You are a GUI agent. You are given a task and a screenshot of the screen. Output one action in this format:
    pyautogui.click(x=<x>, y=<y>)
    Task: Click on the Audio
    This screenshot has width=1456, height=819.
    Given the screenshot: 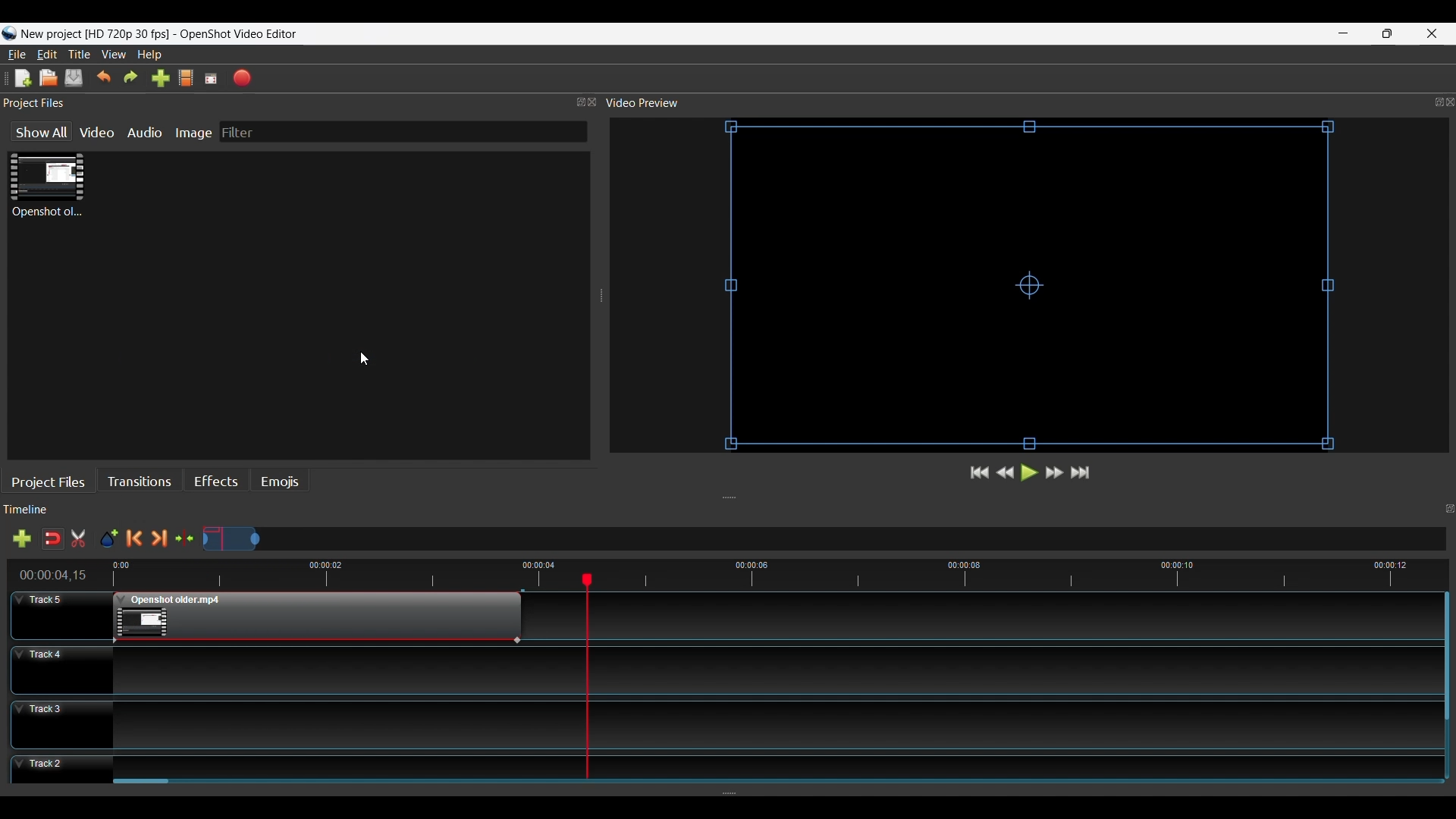 What is the action you would take?
    pyautogui.click(x=147, y=132)
    